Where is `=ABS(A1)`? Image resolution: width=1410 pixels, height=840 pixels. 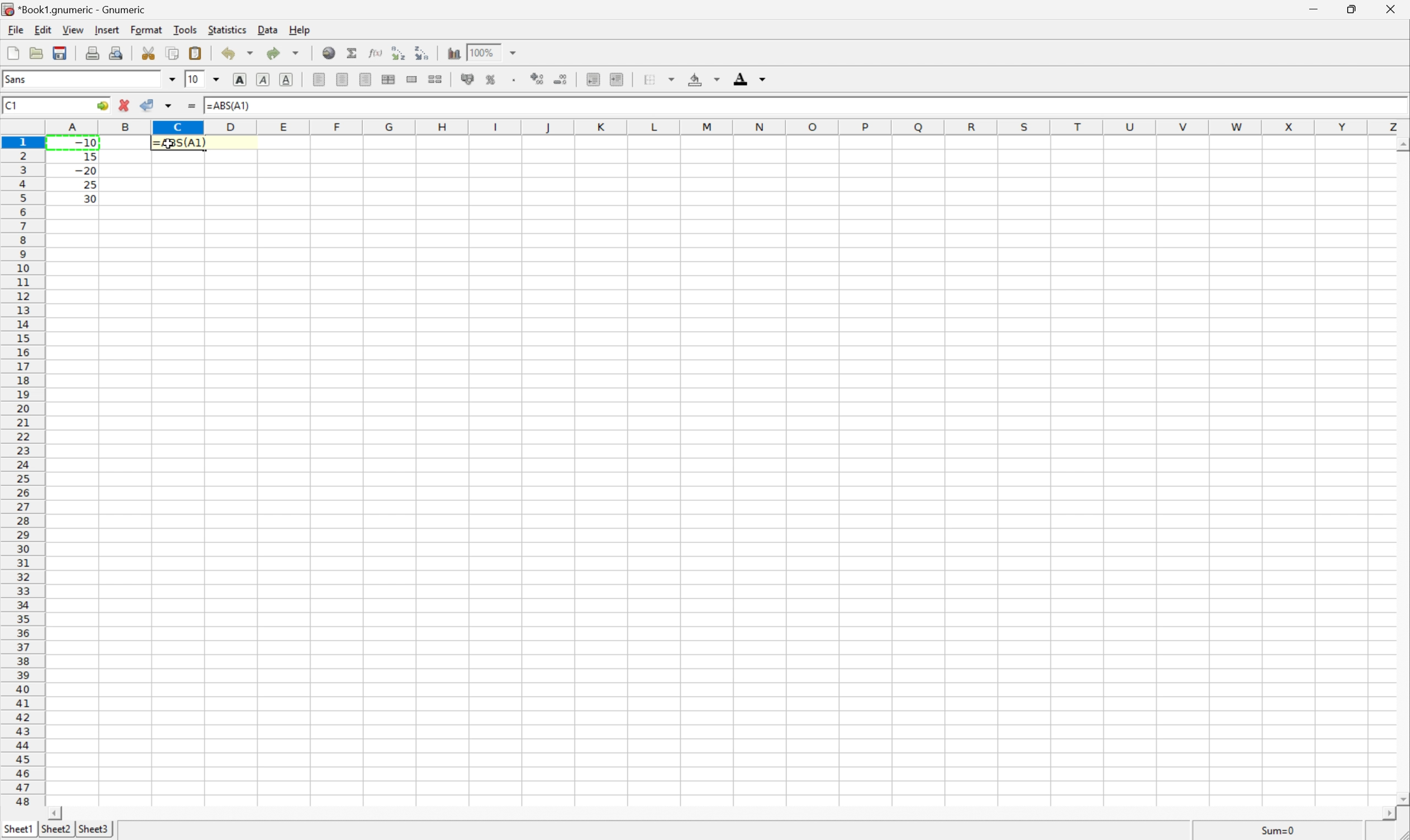
=ABS(A1) is located at coordinates (232, 104).